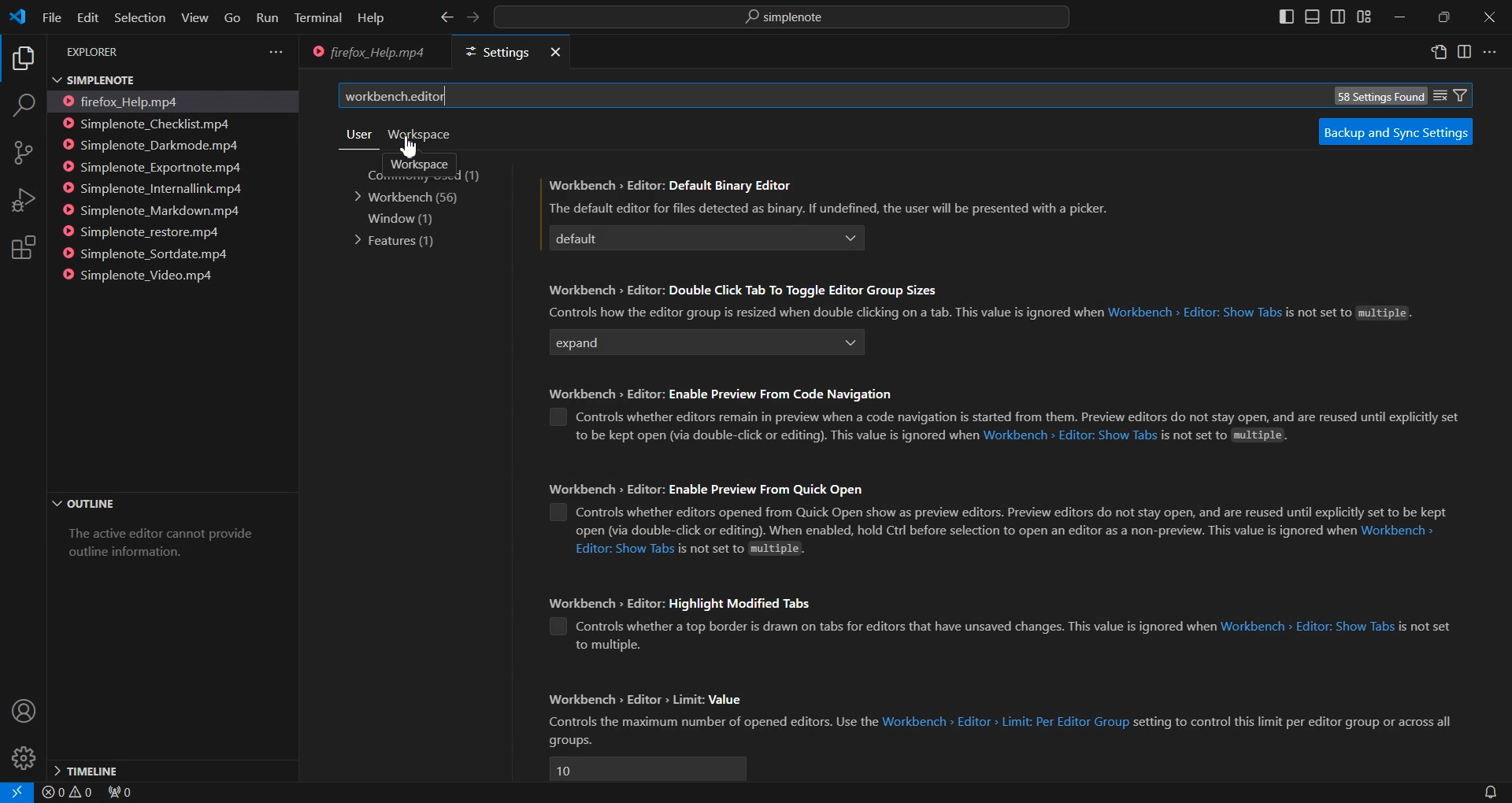 This screenshot has width=1512, height=803. Describe the element at coordinates (808, 96) in the screenshot. I see `Workbench editor` at that location.